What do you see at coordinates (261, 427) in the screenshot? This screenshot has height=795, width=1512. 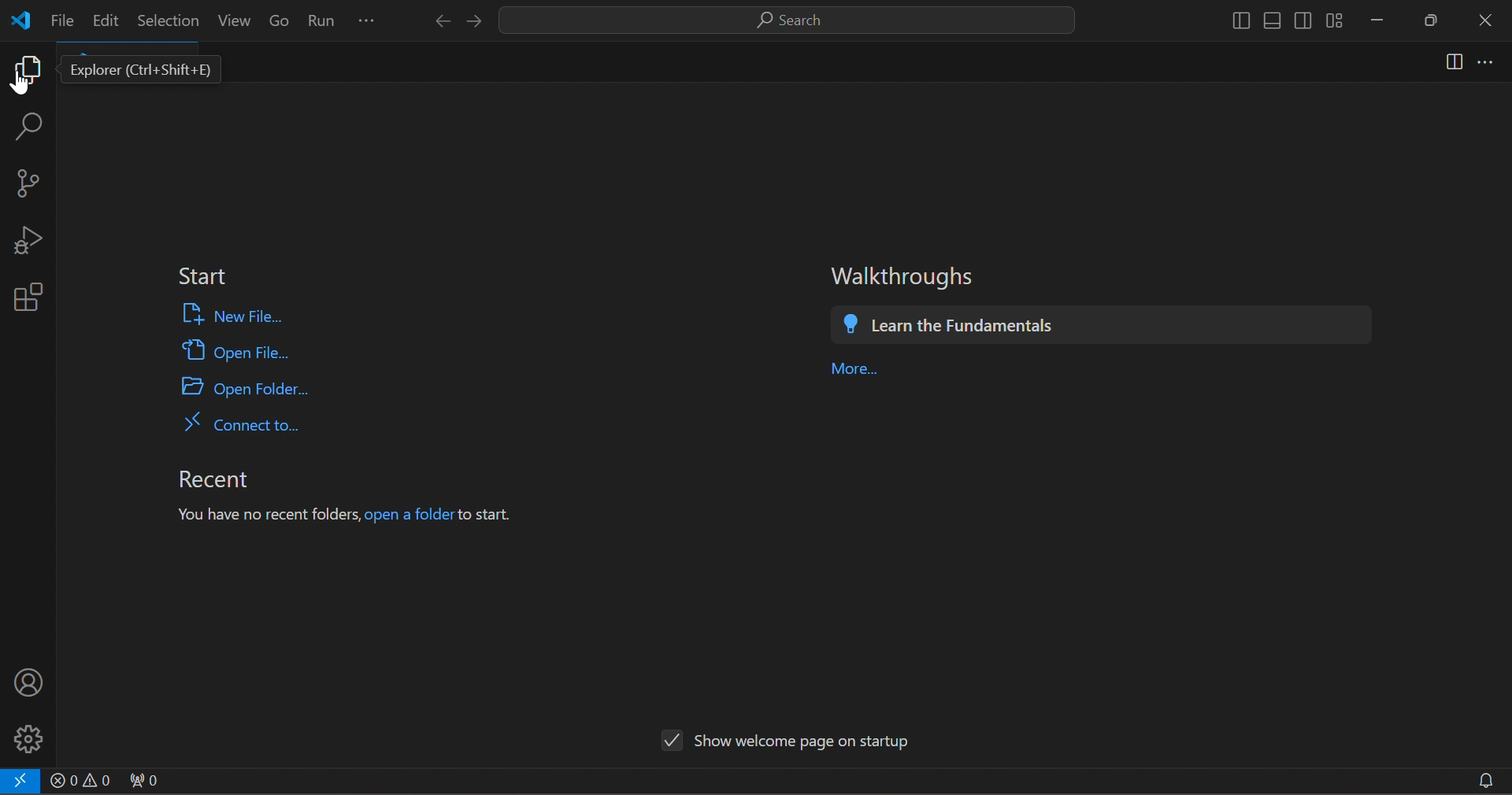 I see `connect to` at bounding box center [261, 427].